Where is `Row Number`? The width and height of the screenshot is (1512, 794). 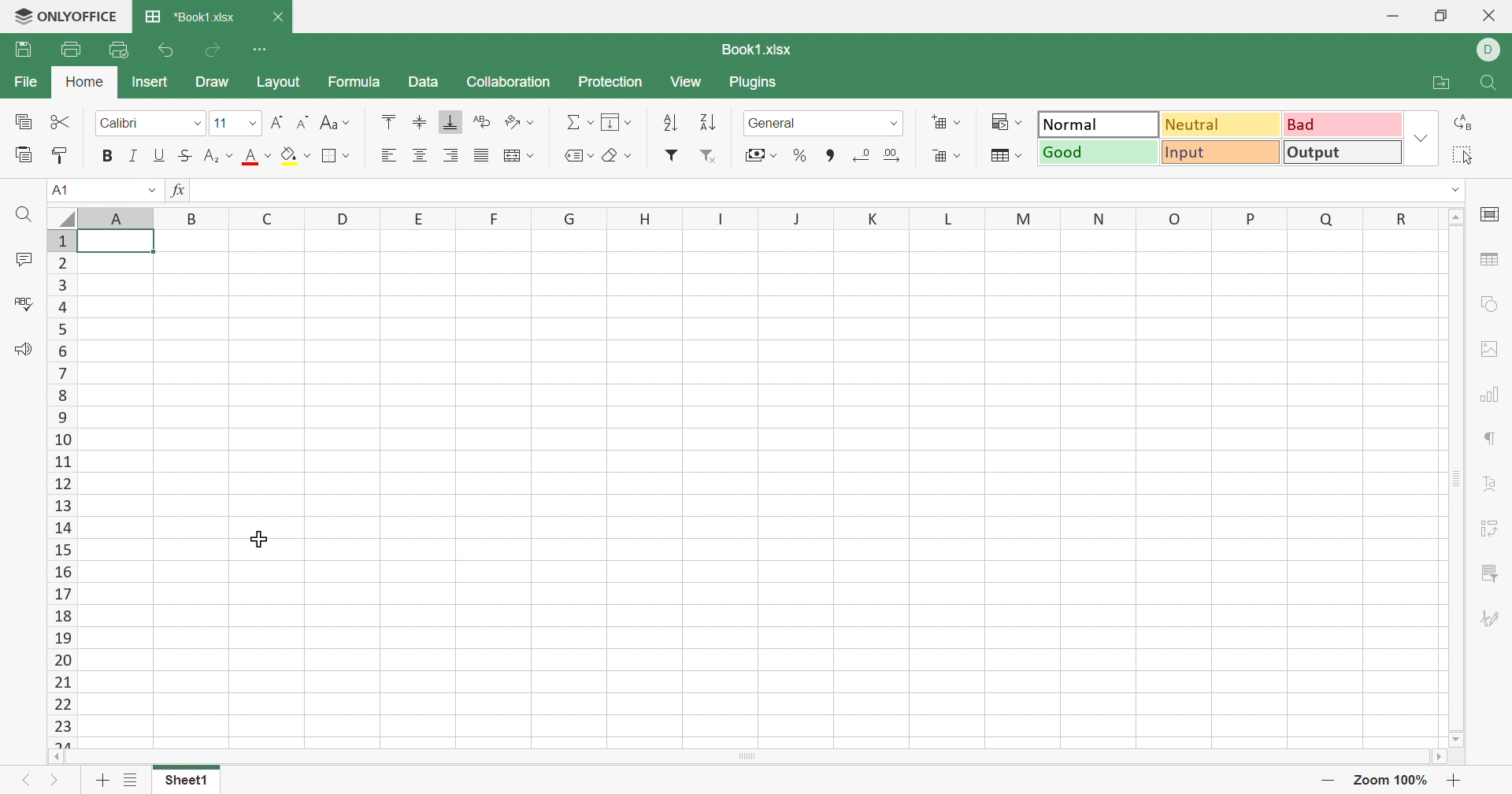 Row Number is located at coordinates (62, 489).